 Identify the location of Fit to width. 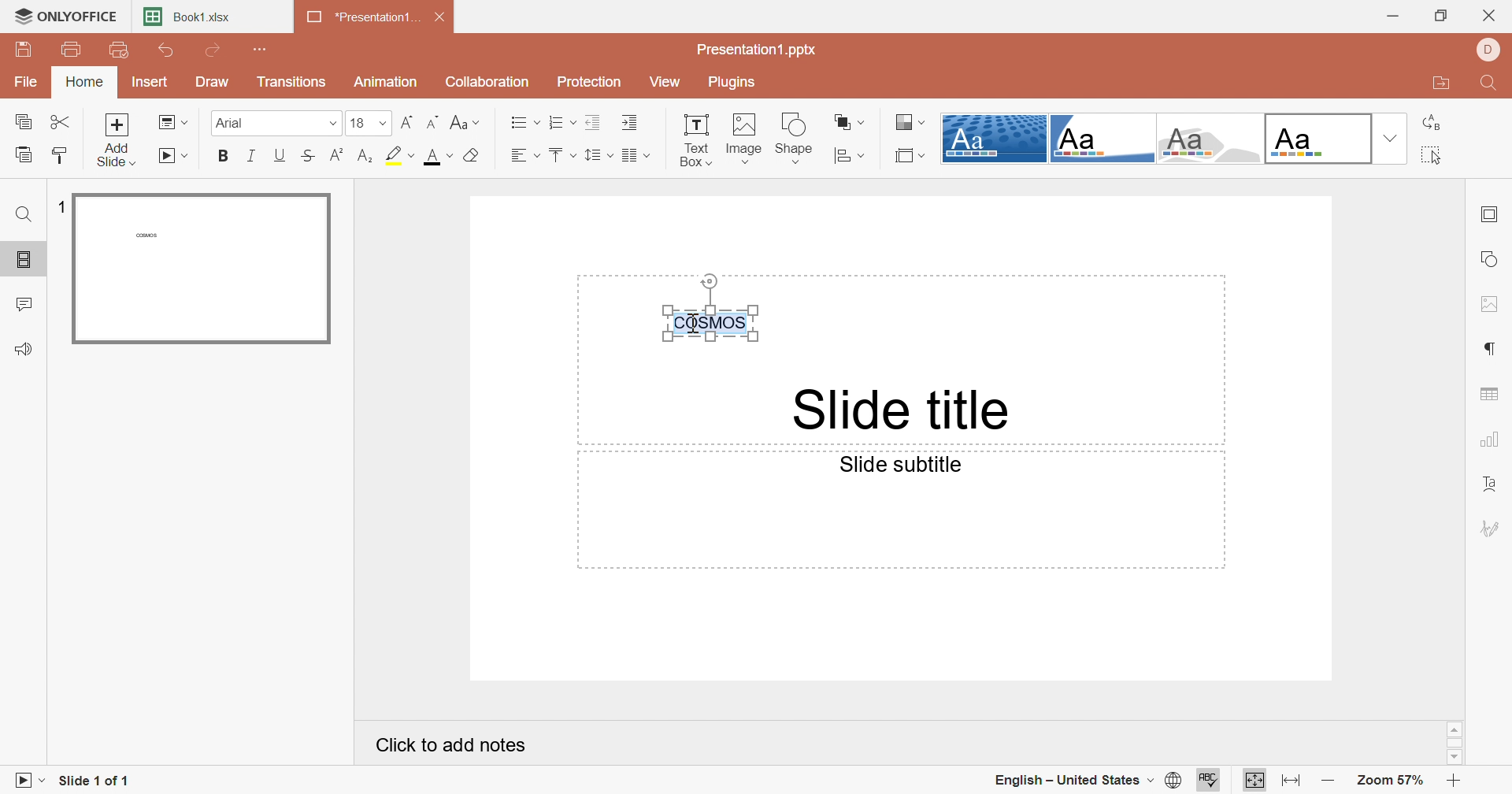
(1290, 779).